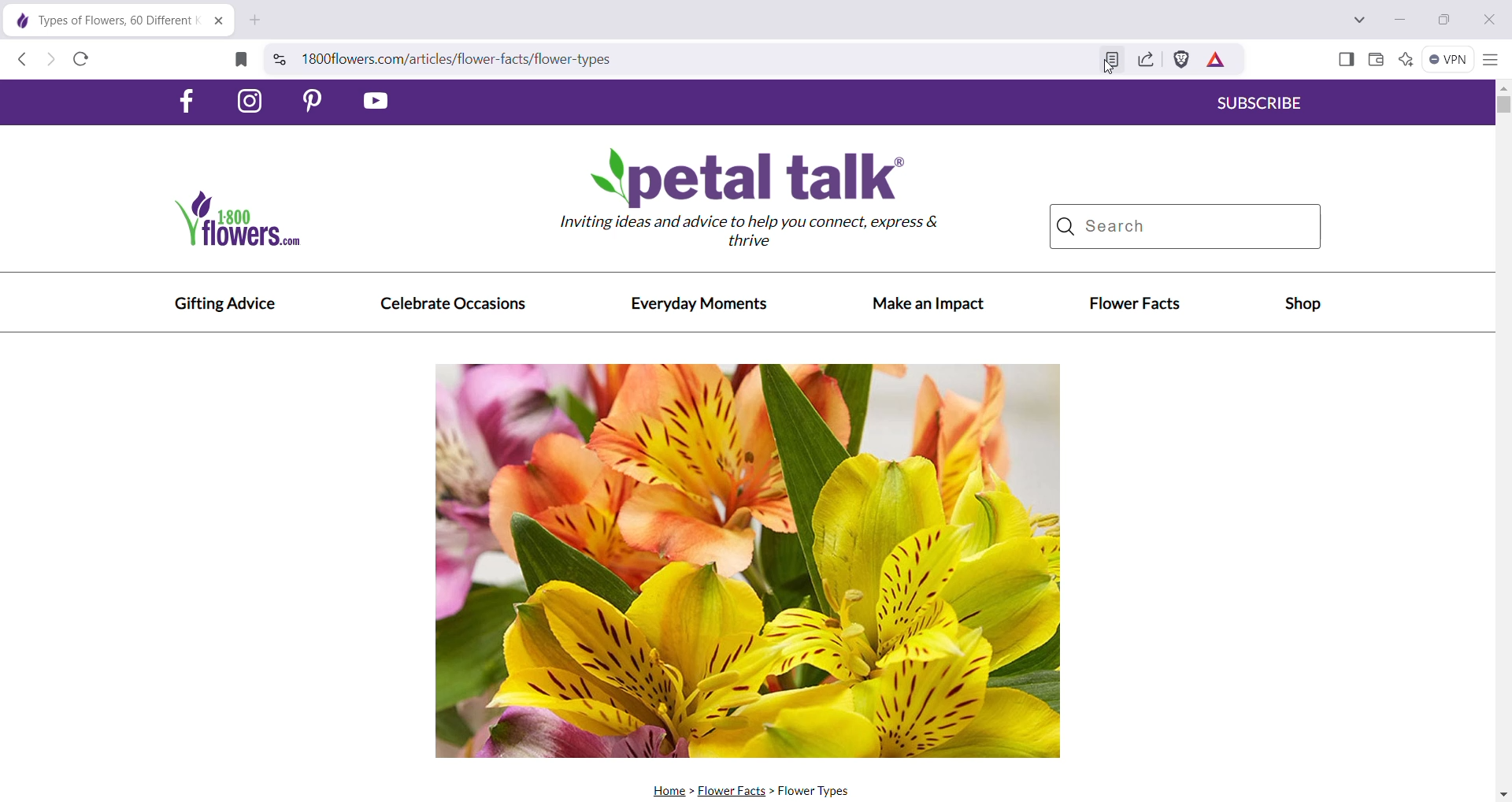  I want to click on Visit site information, so click(279, 58).